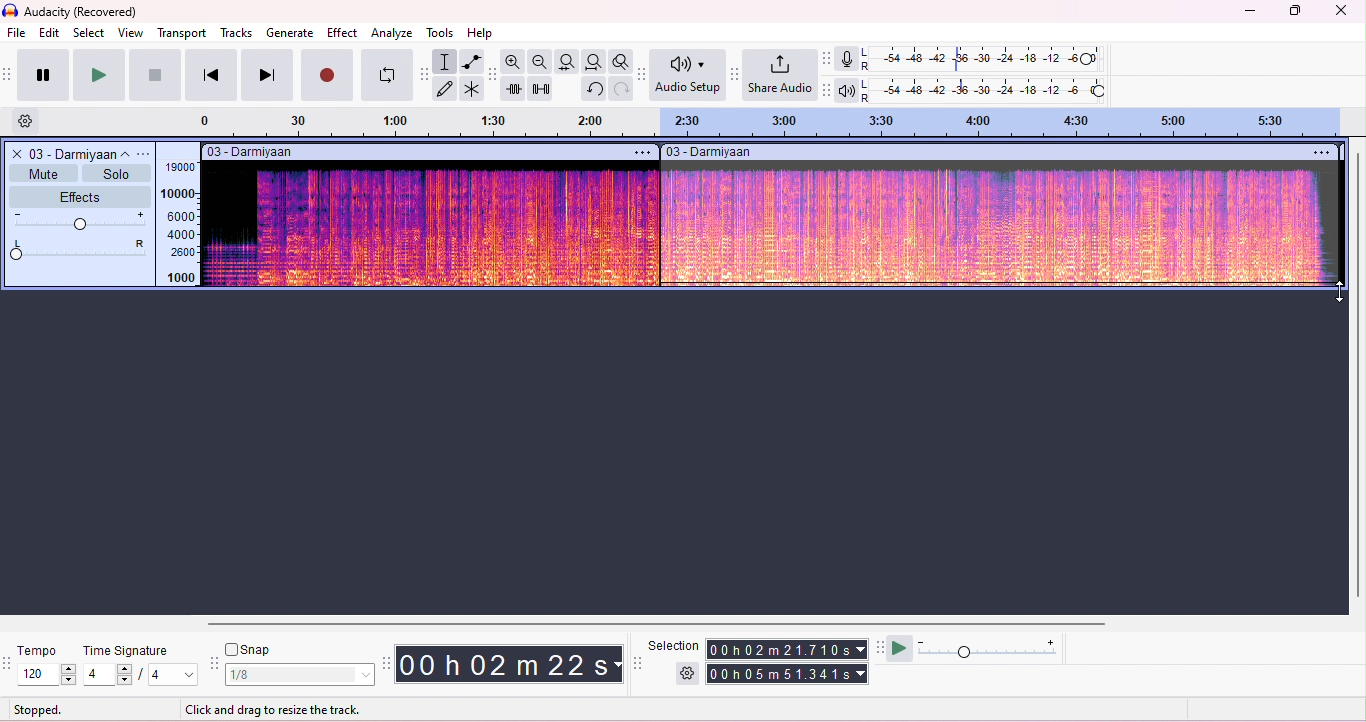 The width and height of the screenshot is (1366, 722). I want to click on tools, so click(444, 33).